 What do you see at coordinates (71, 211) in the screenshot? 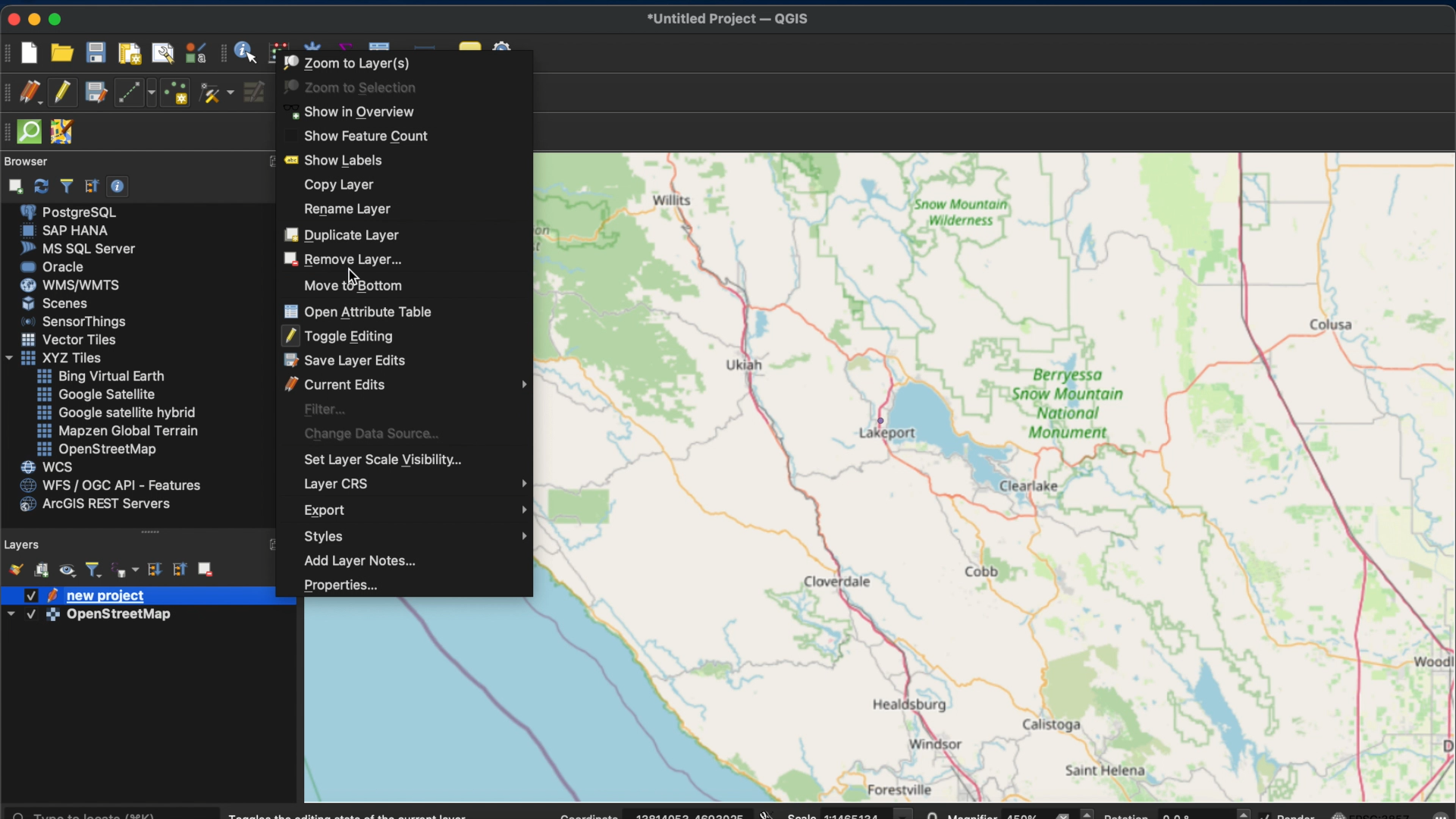
I see `postergre sql` at bounding box center [71, 211].